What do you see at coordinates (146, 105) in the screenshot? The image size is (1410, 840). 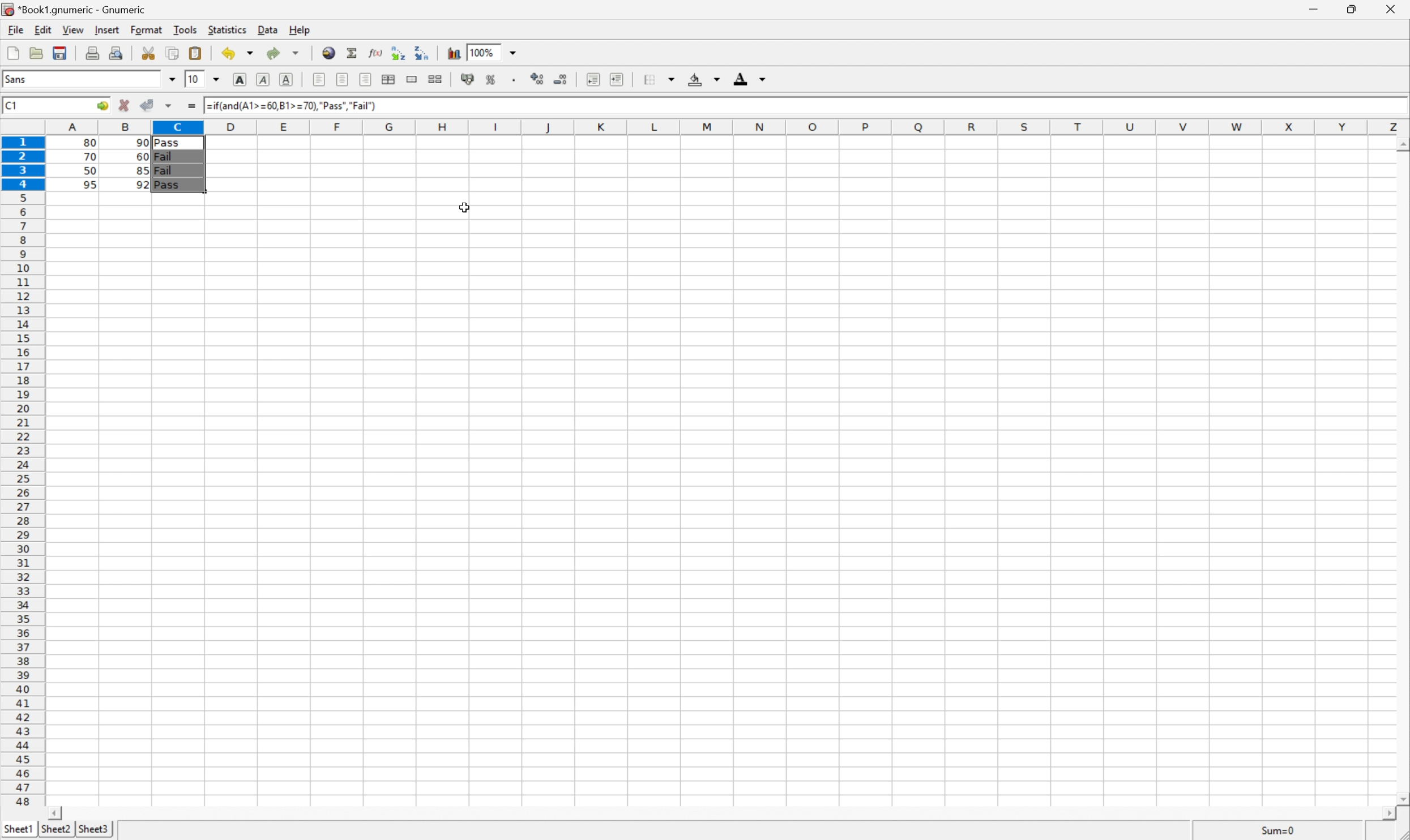 I see `Accept changes` at bounding box center [146, 105].